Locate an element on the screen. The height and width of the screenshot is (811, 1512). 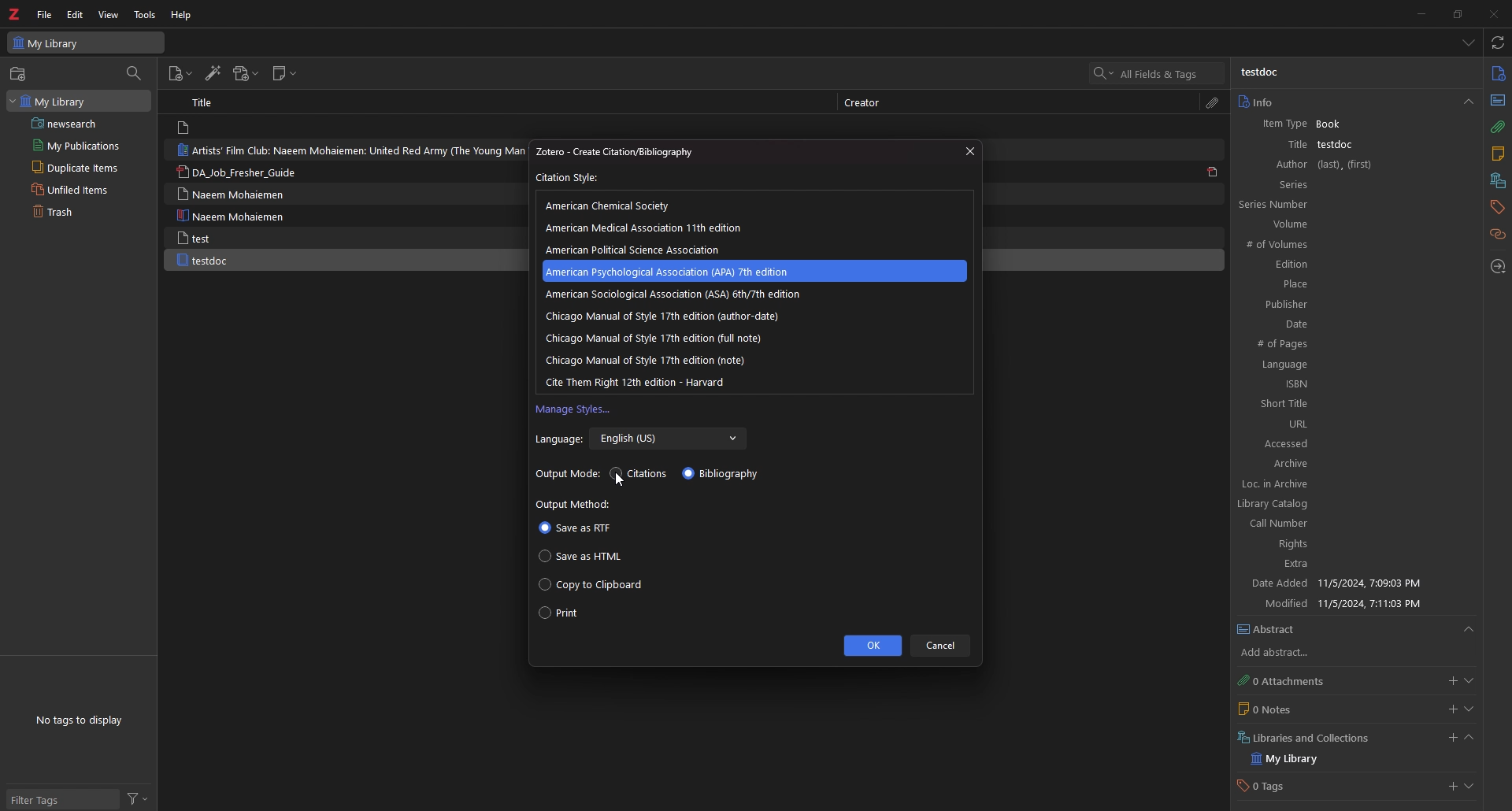
print is located at coordinates (559, 615).